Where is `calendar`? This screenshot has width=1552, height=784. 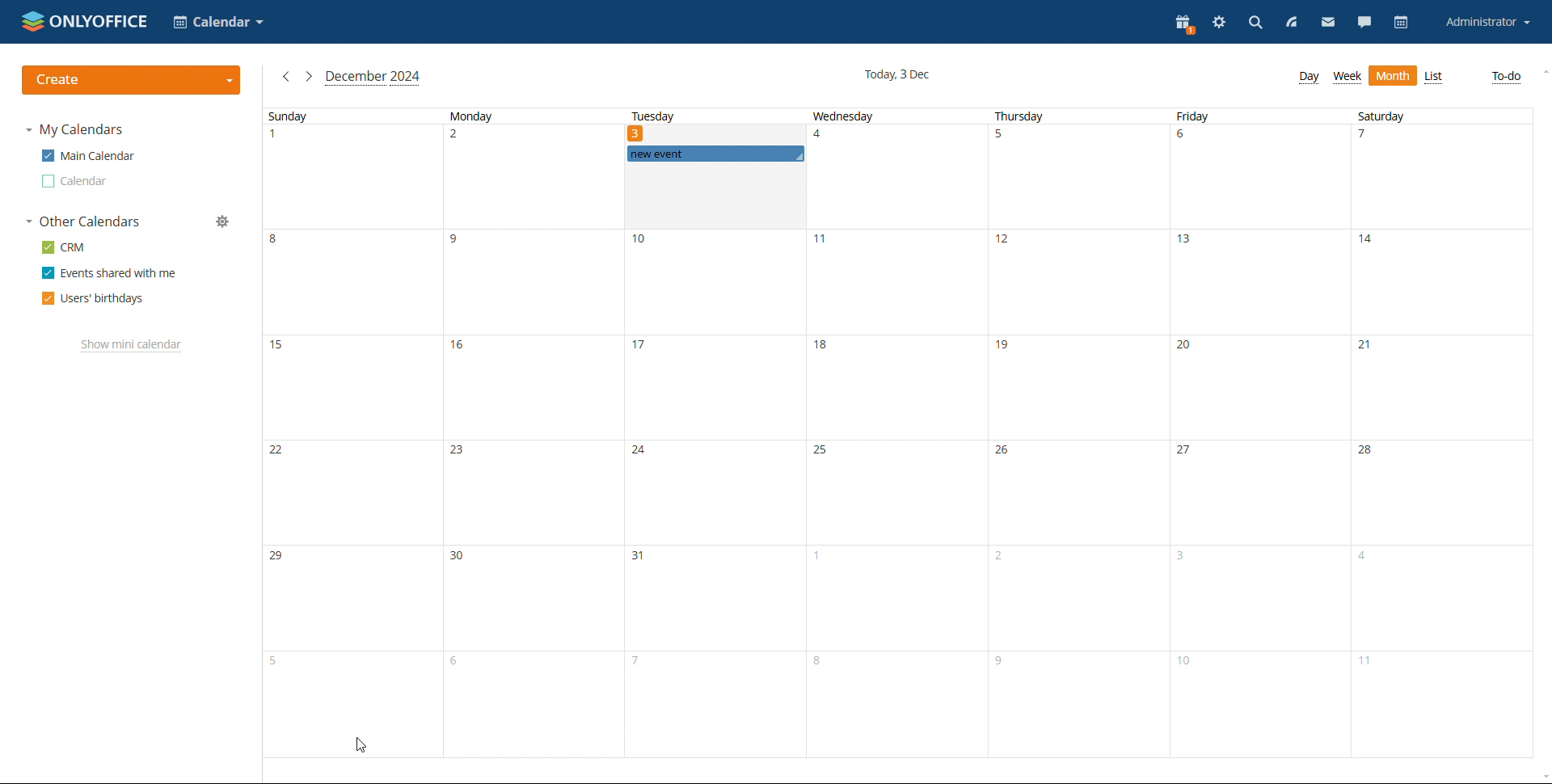
calendar is located at coordinates (1403, 23).